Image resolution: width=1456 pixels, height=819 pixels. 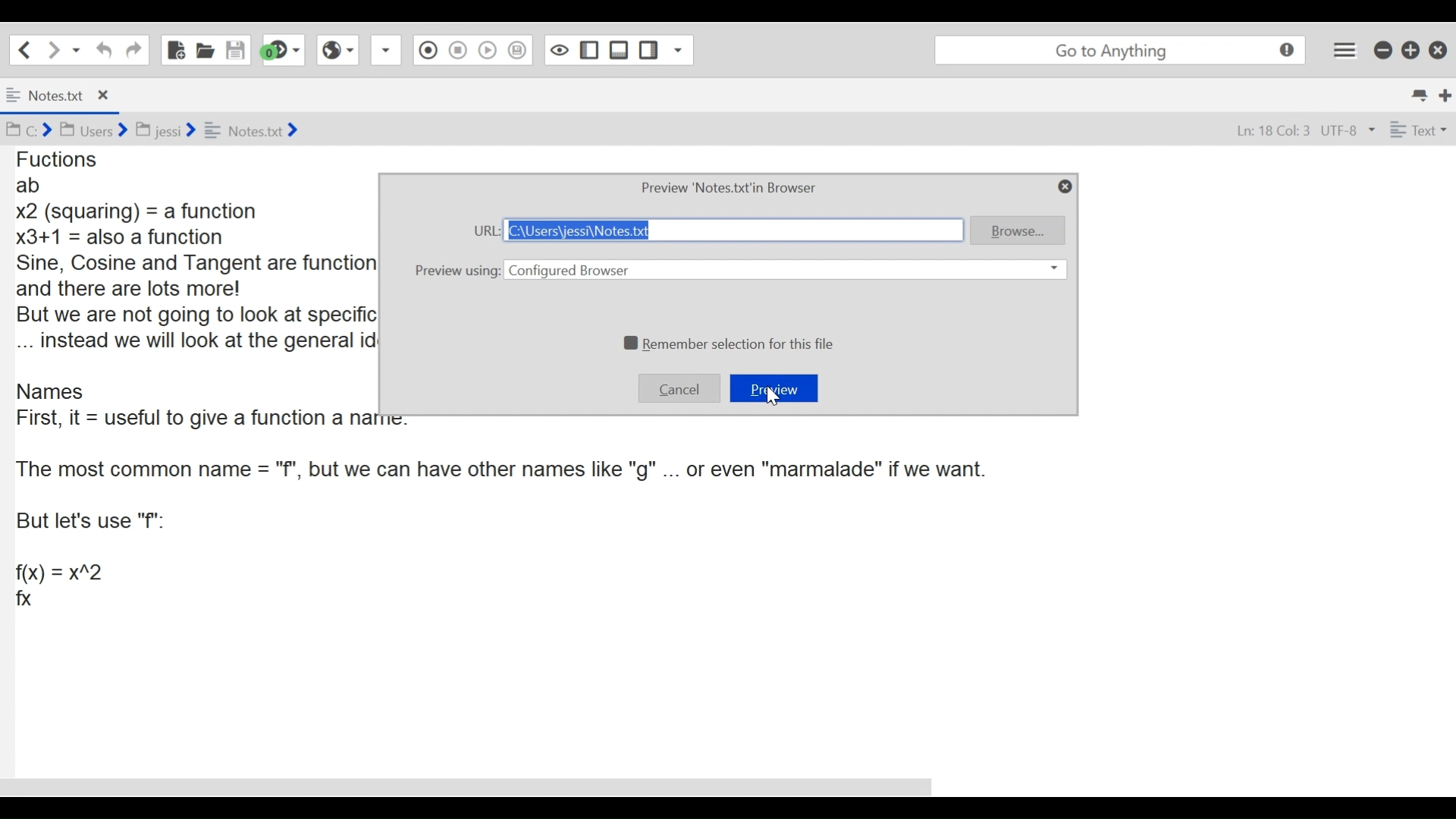 I want to click on close, so click(x=1439, y=48).